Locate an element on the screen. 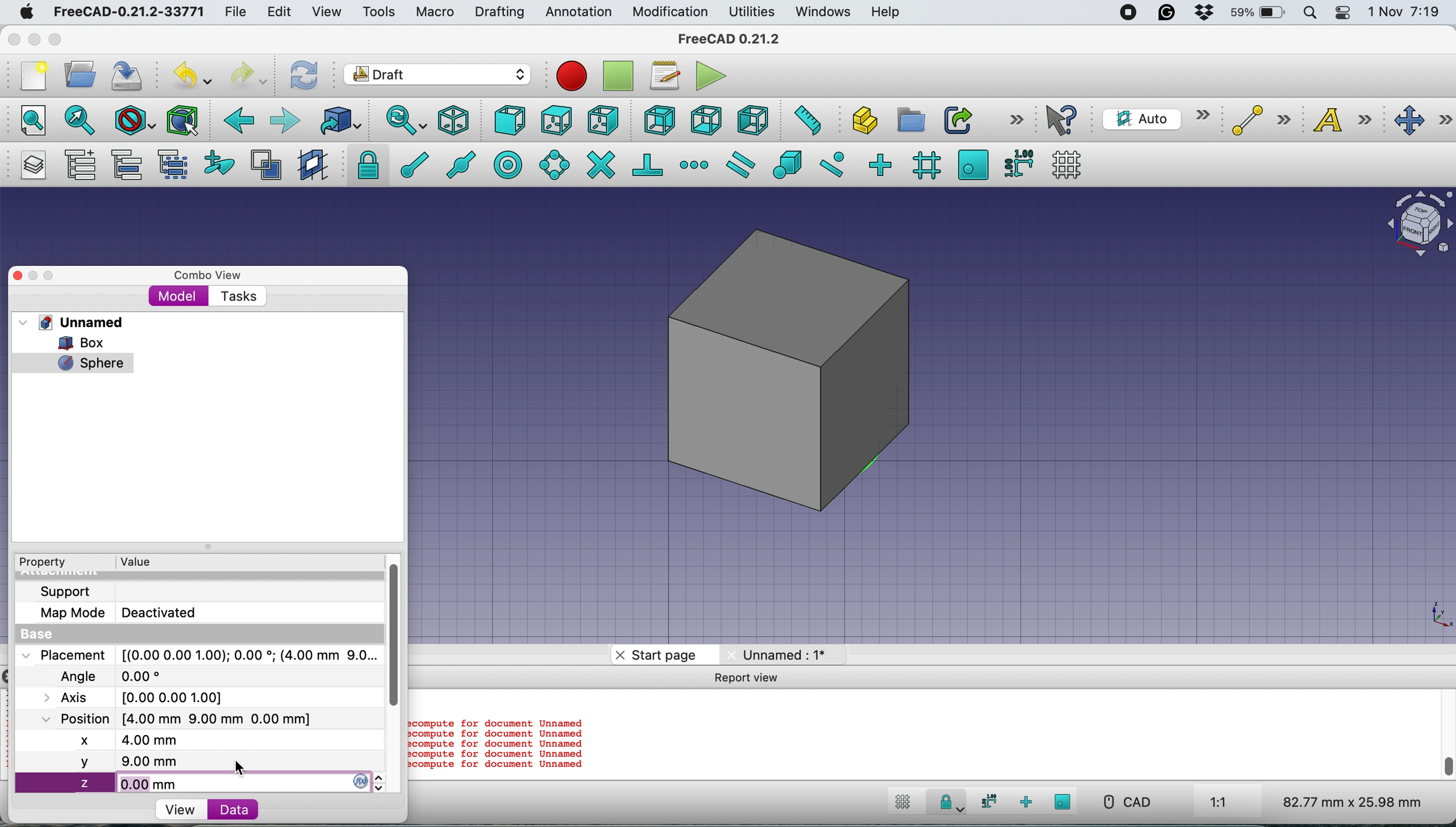 Image resolution: width=1456 pixels, height=827 pixels. close tab is located at coordinates (617, 655).